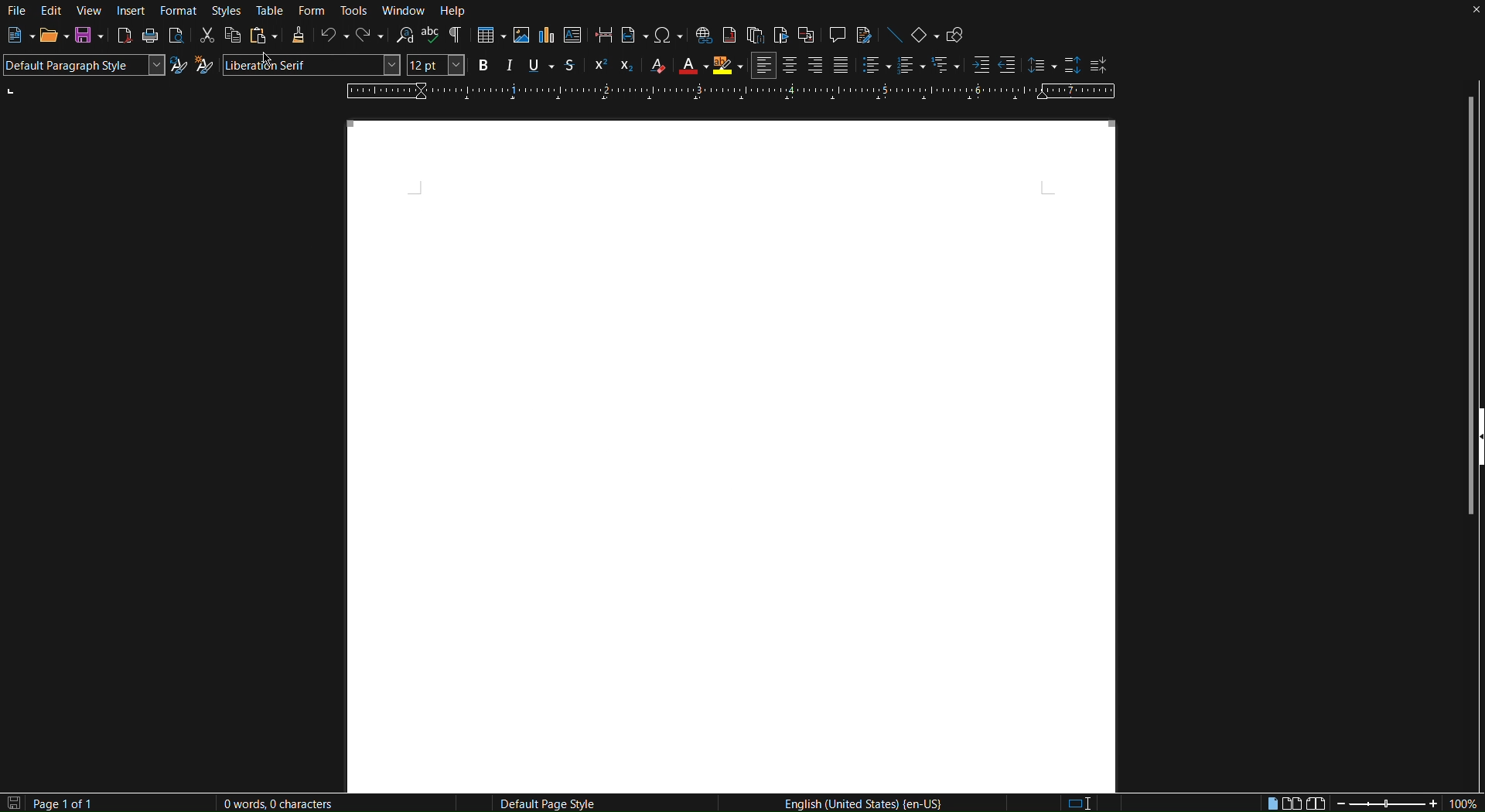  I want to click on Italics, so click(510, 65).